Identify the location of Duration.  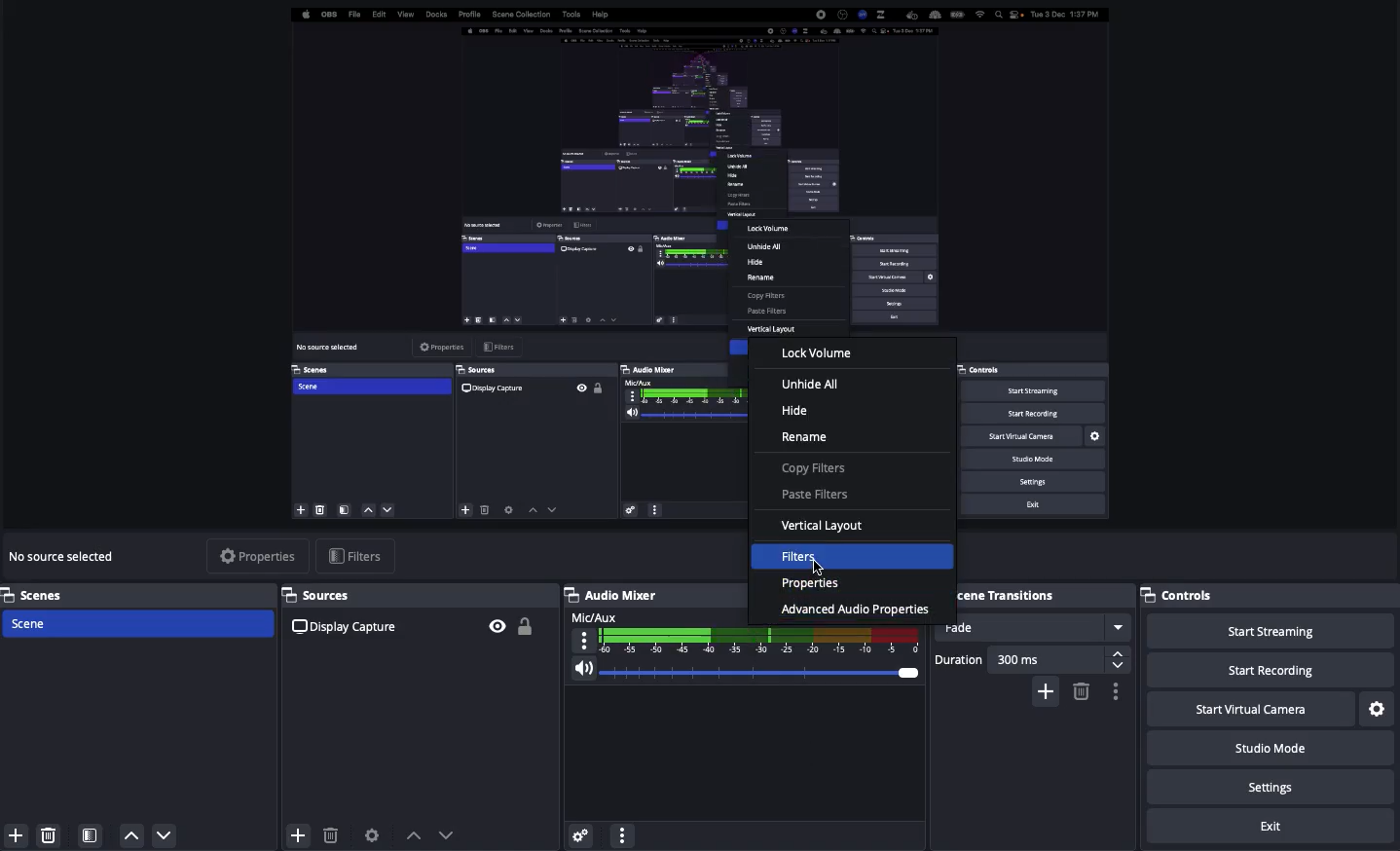
(1030, 659).